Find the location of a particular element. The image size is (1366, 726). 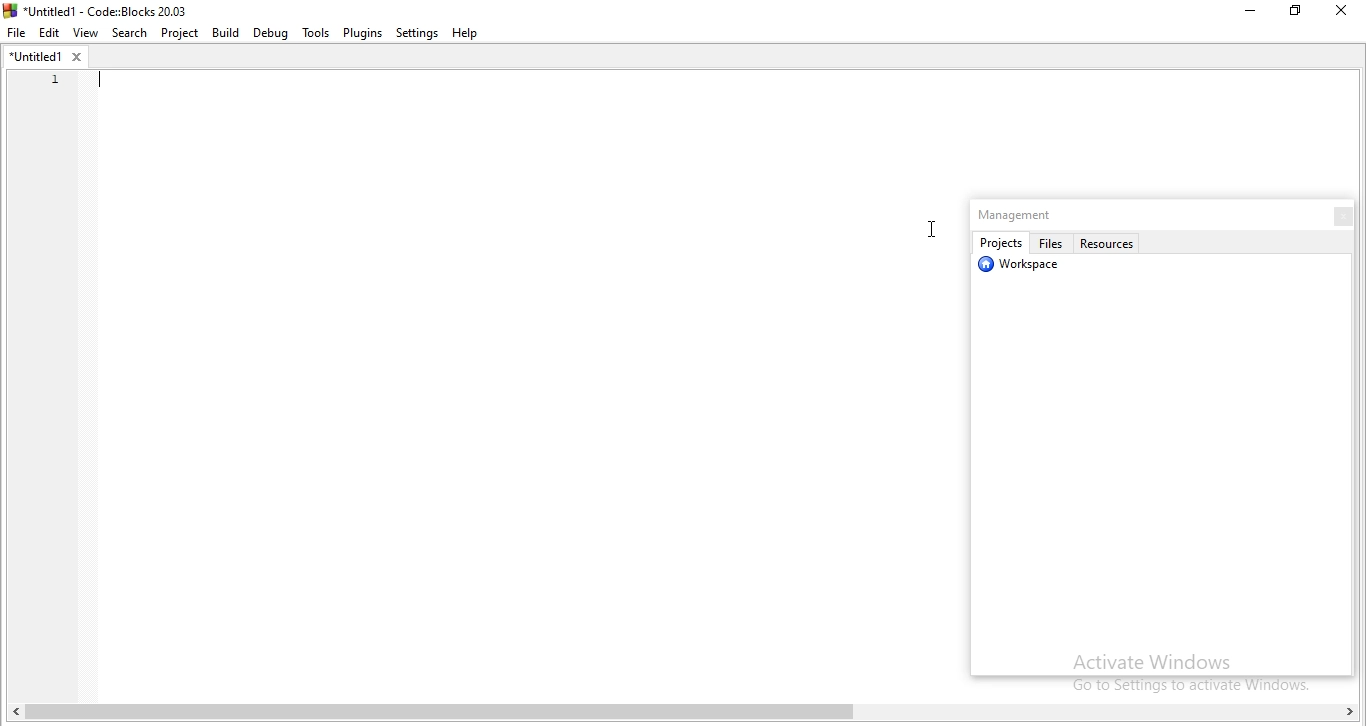

workspace is located at coordinates (1024, 268).